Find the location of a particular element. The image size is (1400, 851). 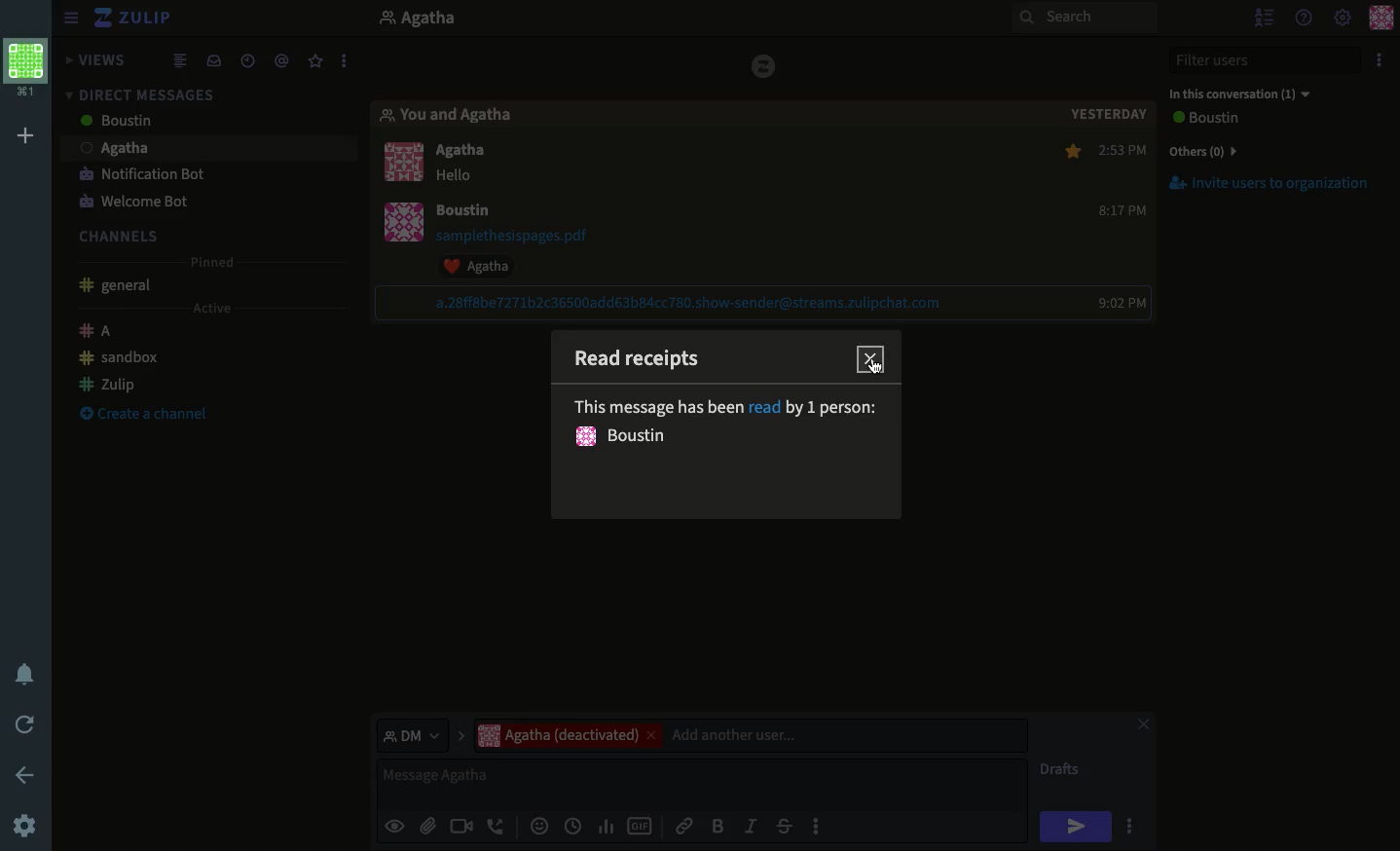

Status is located at coordinates (729, 425).